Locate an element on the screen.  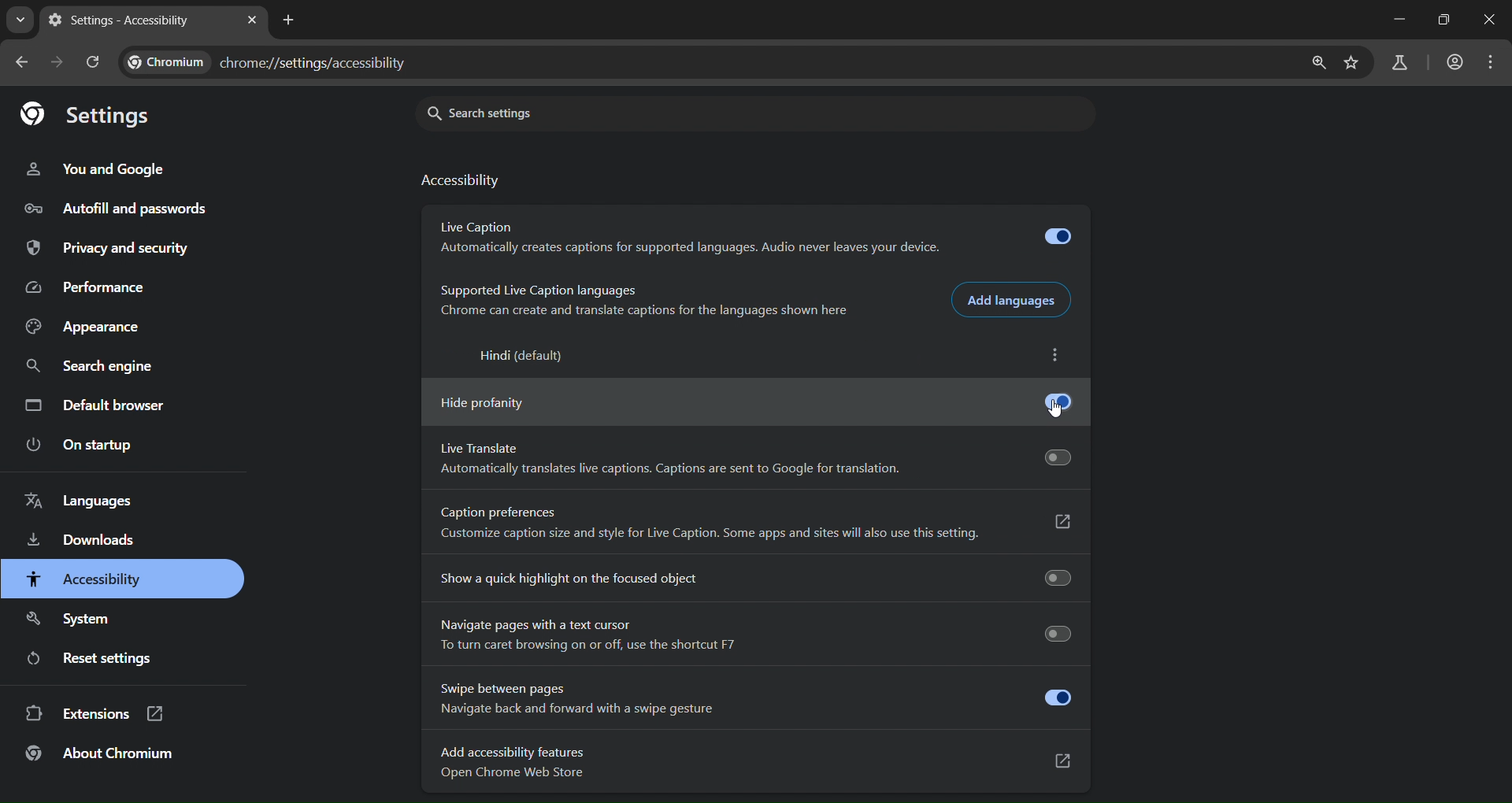
add languages is located at coordinates (1014, 299).